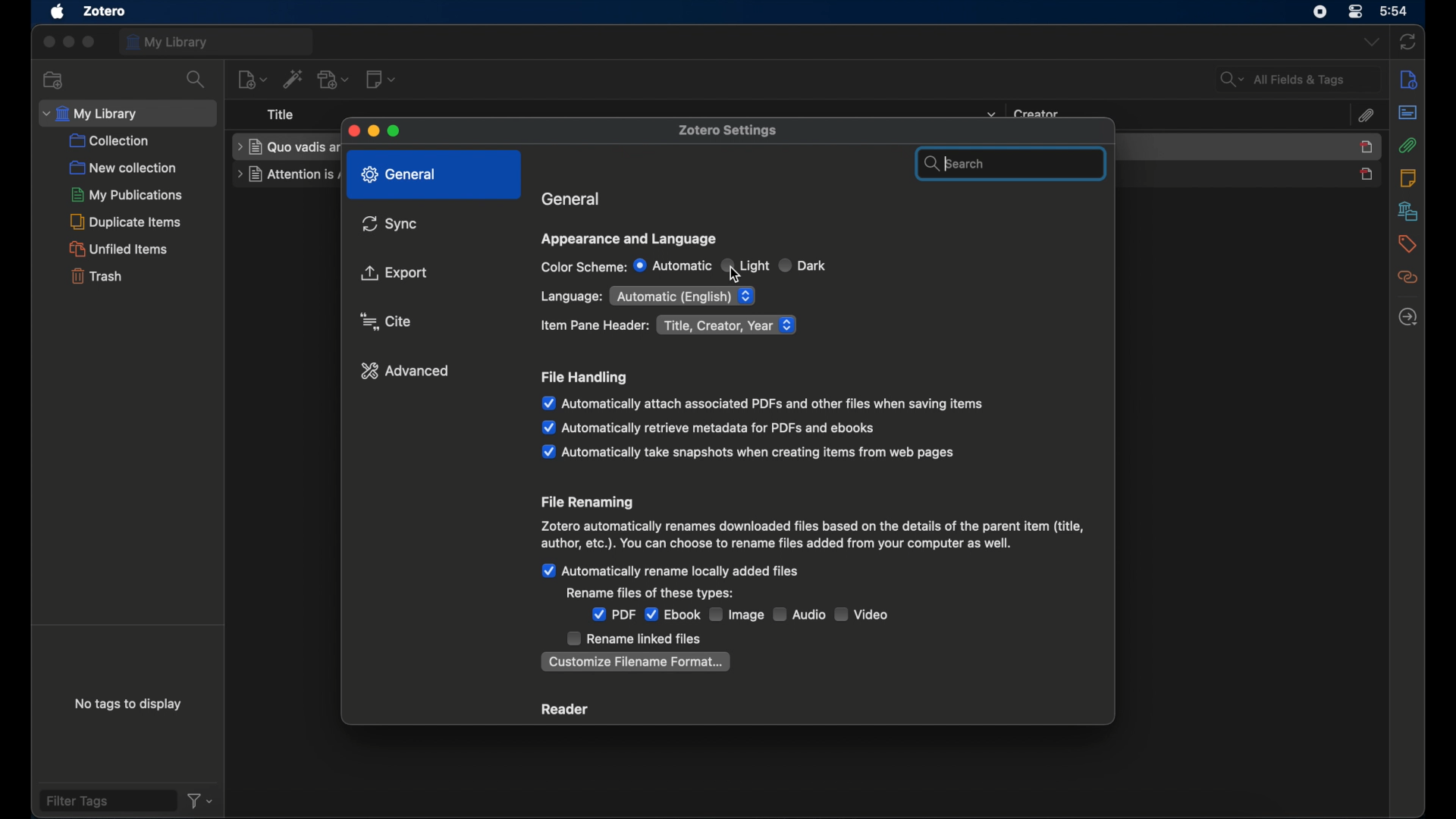  I want to click on attachements, so click(1366, 115).